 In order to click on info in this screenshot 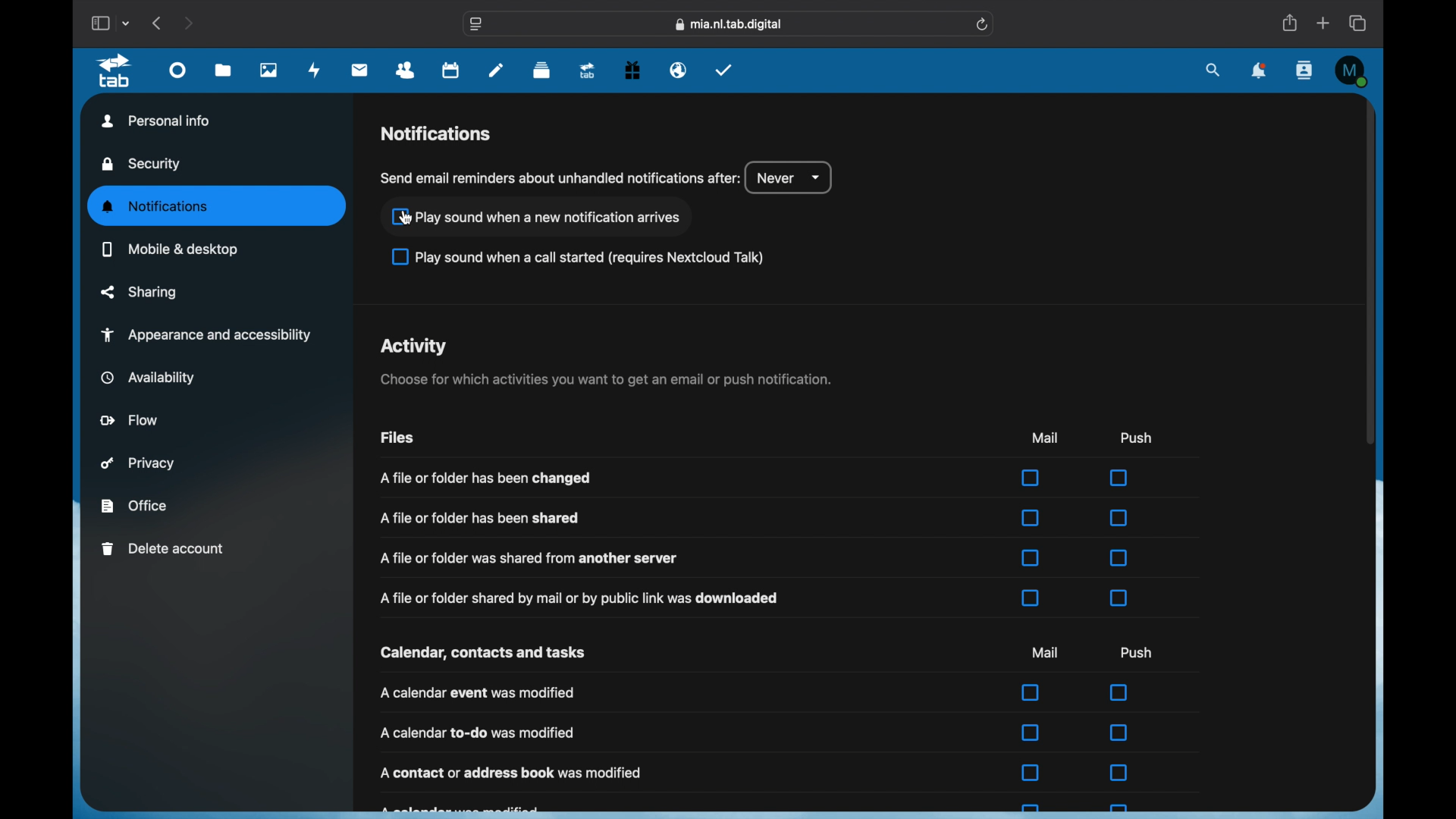, I will do `click(485, 478)`.